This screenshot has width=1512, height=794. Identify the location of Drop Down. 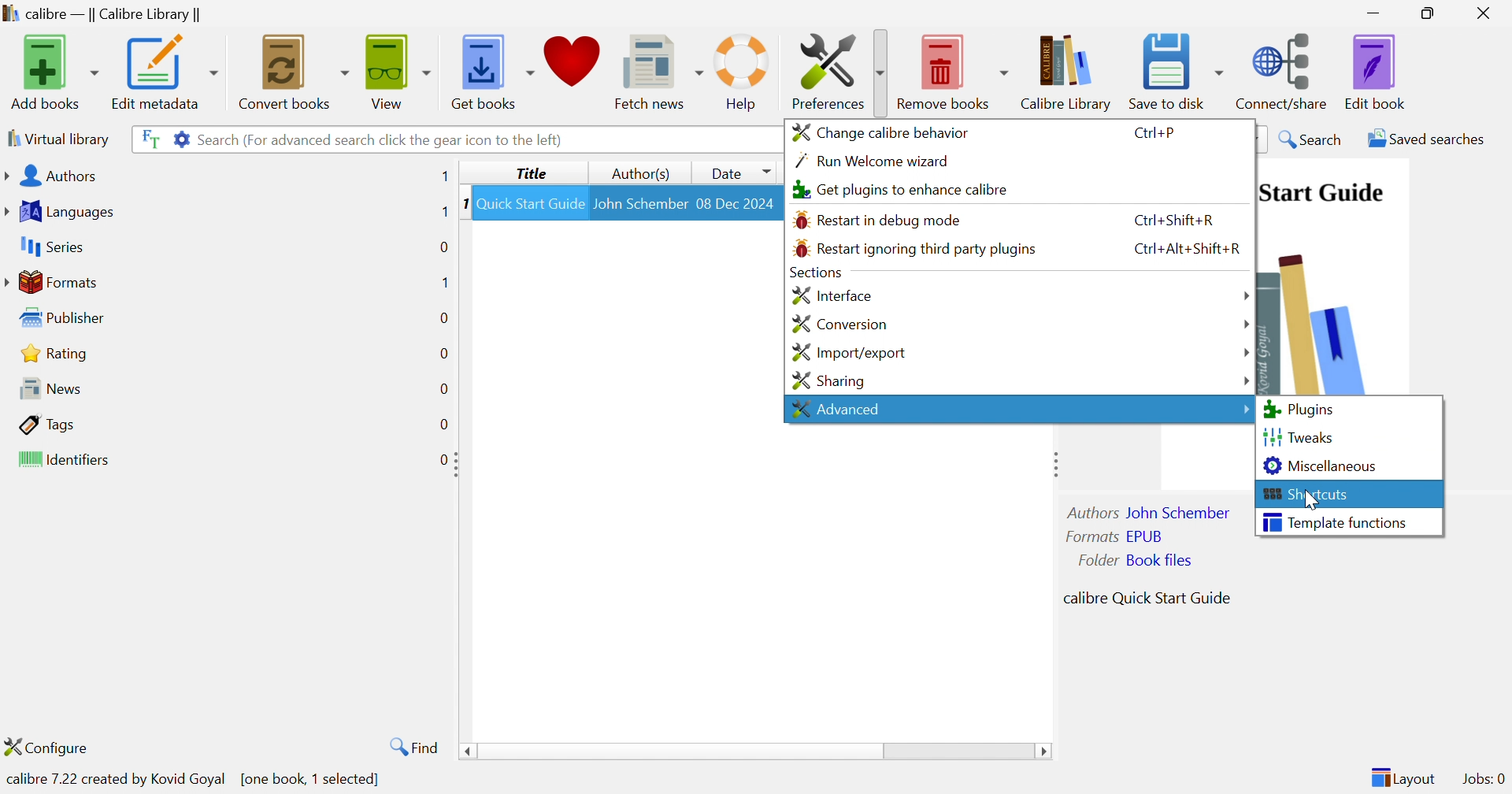
(1246, 351).